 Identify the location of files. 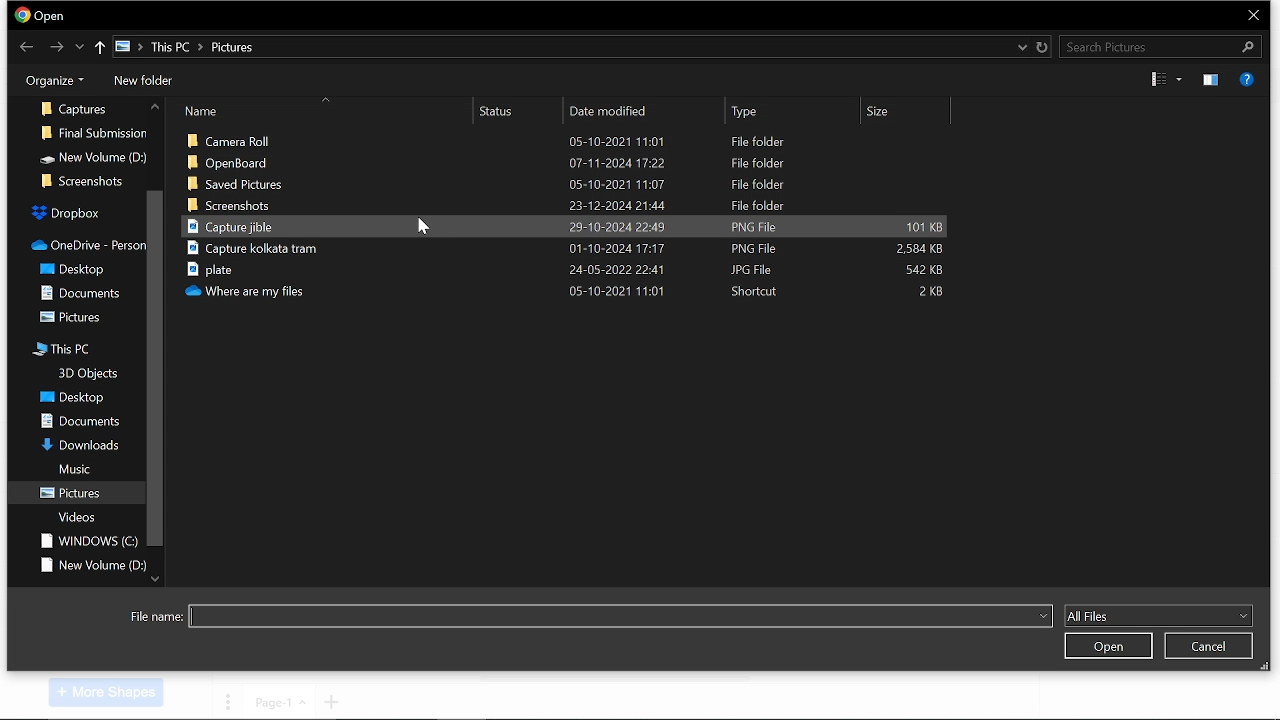
(569, 226).